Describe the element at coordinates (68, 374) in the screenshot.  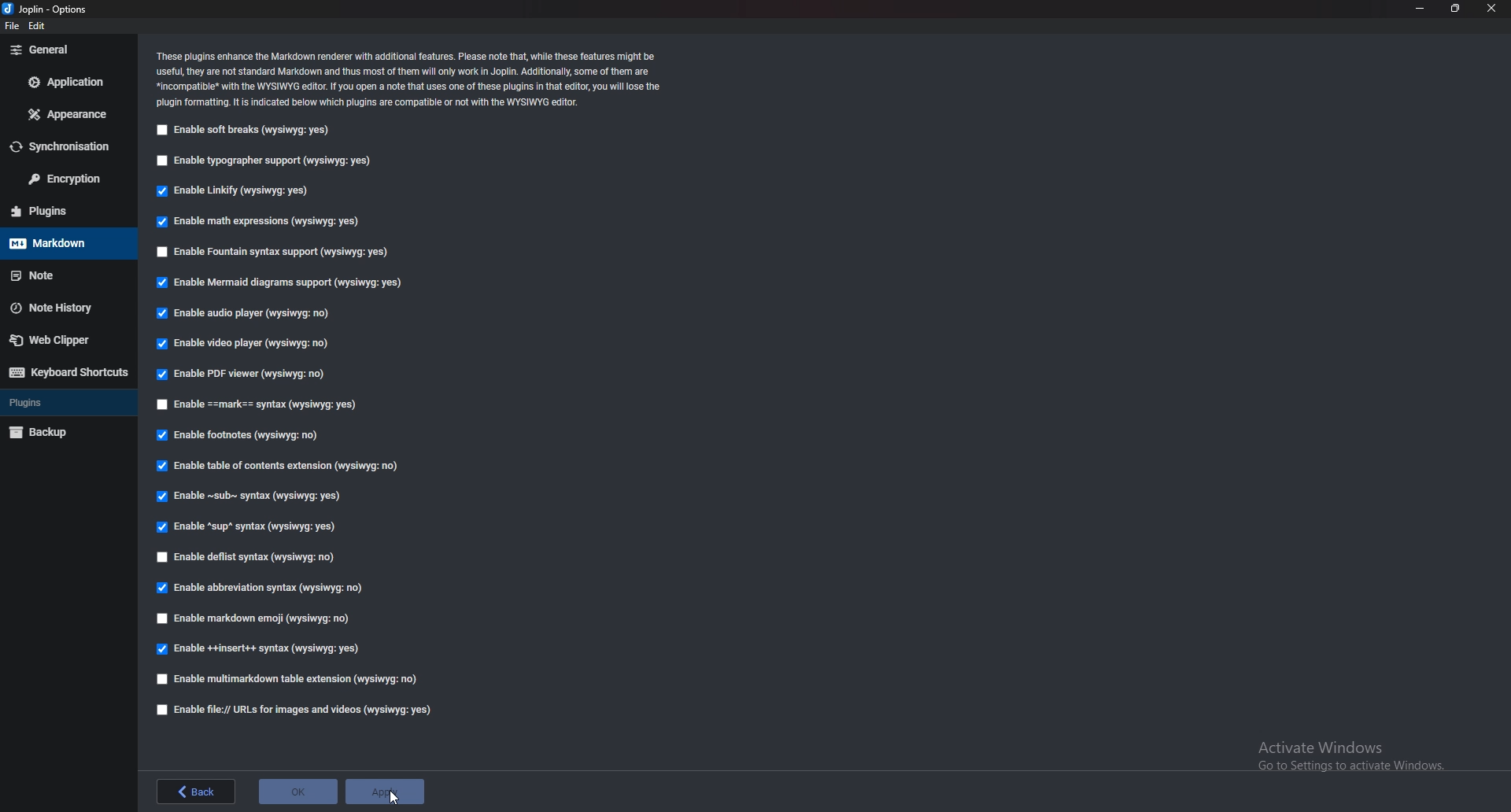
I see `Keyboard shortcuts` at that location.